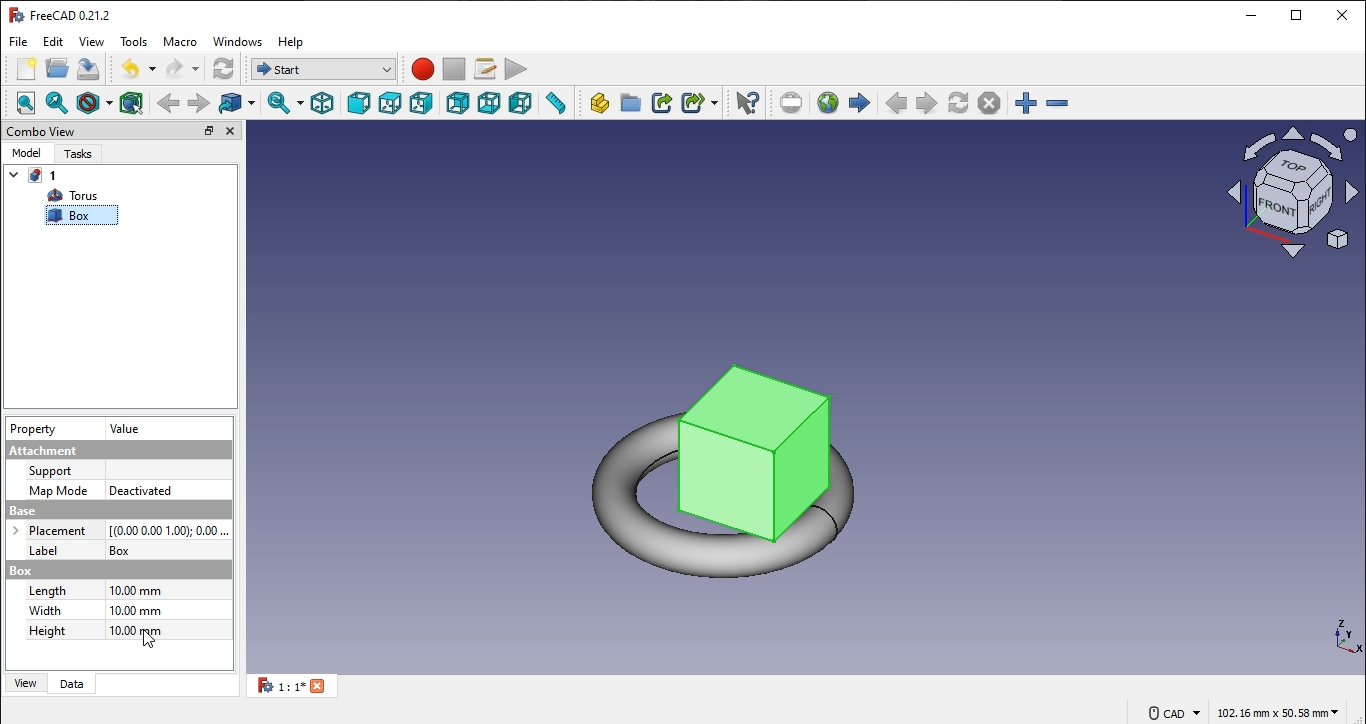  What do you see at coordinates (483, 70) in the screenshot?
I see `macros` at bounding box center [483, 70].